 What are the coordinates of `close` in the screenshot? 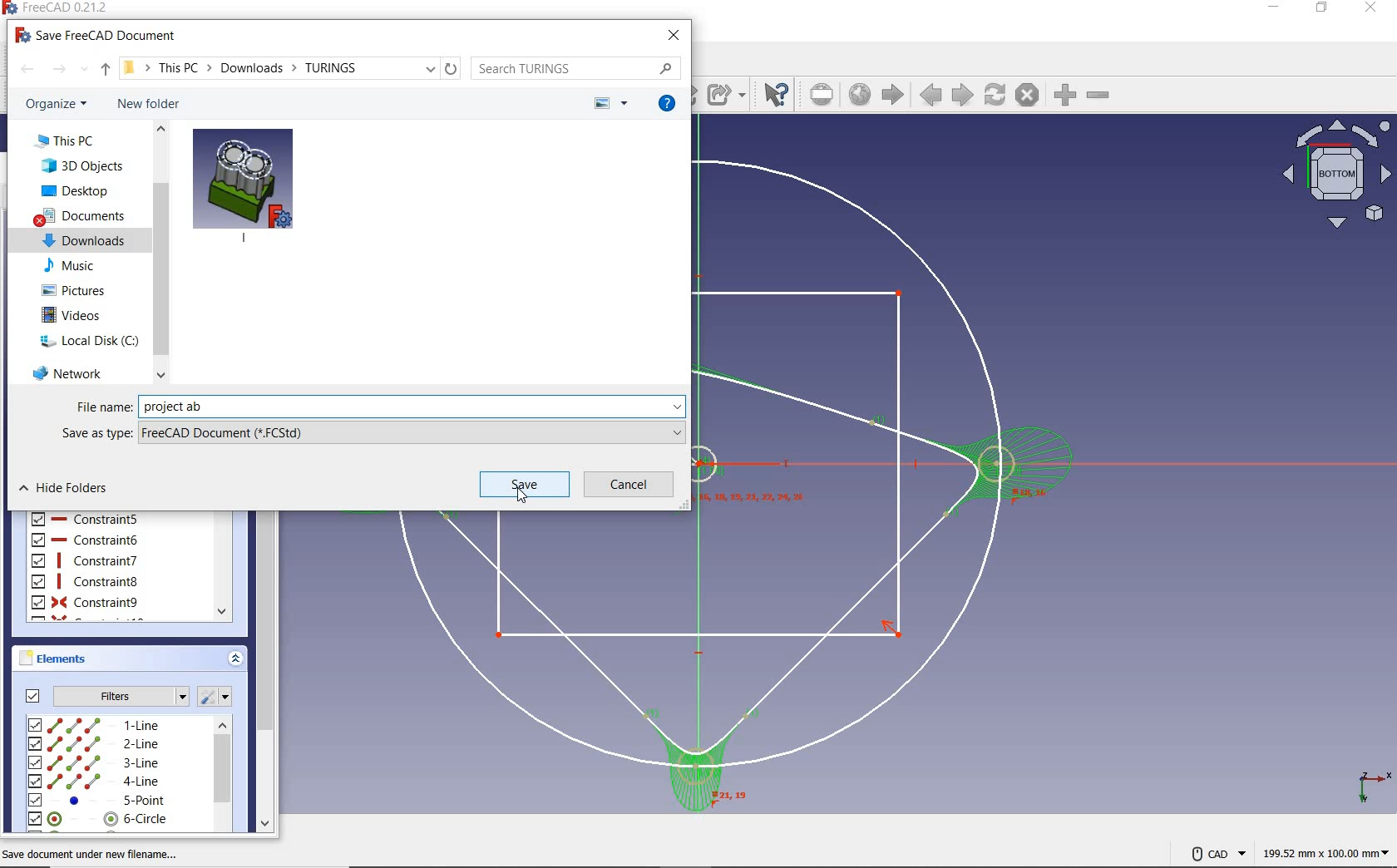 It's located at (674, 36).